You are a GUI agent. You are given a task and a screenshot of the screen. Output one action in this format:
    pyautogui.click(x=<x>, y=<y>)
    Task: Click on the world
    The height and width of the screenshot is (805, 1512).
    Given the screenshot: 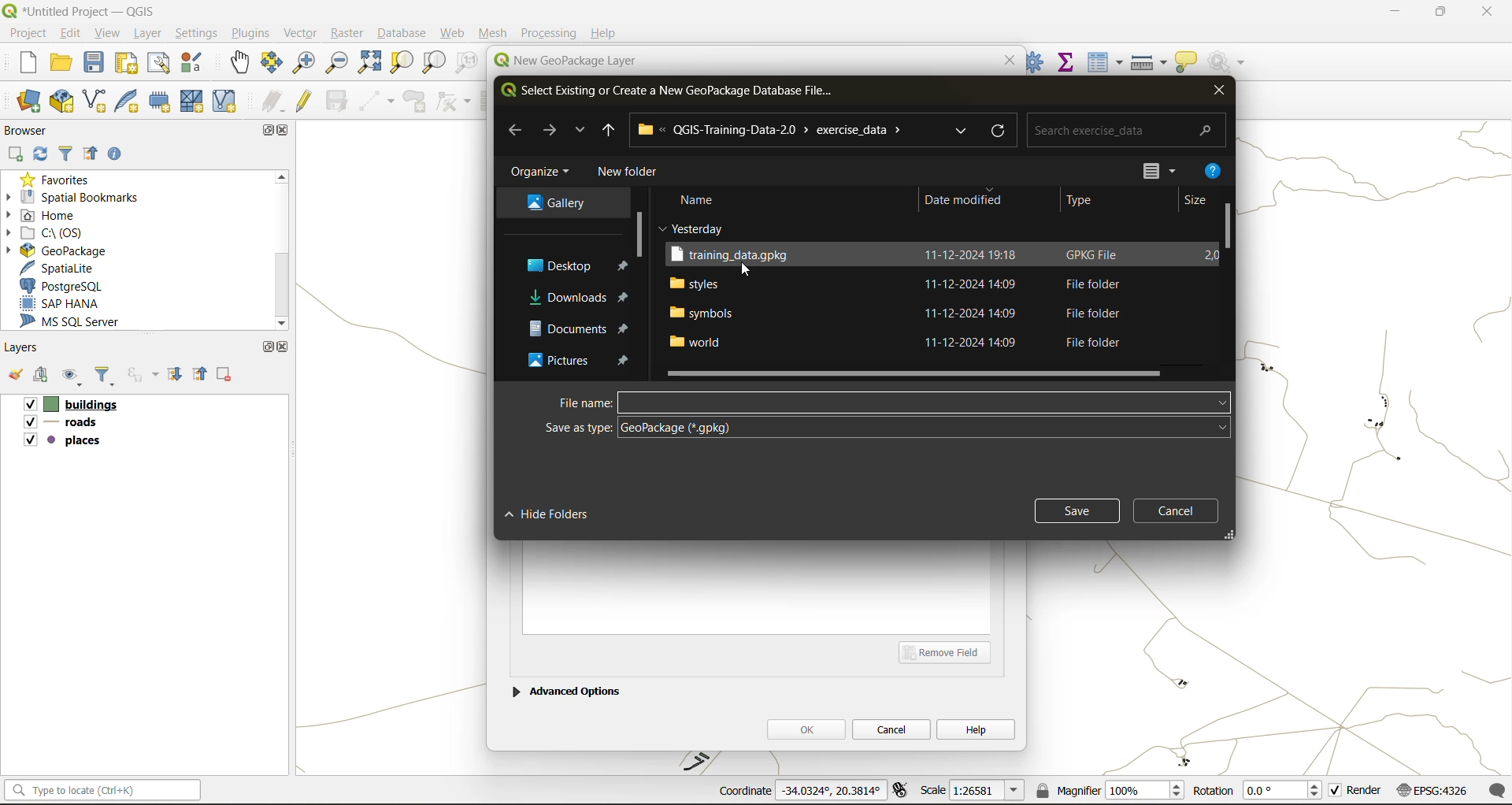 What is the action you would take?
    pyautogui.click(x=699, y=343)
    